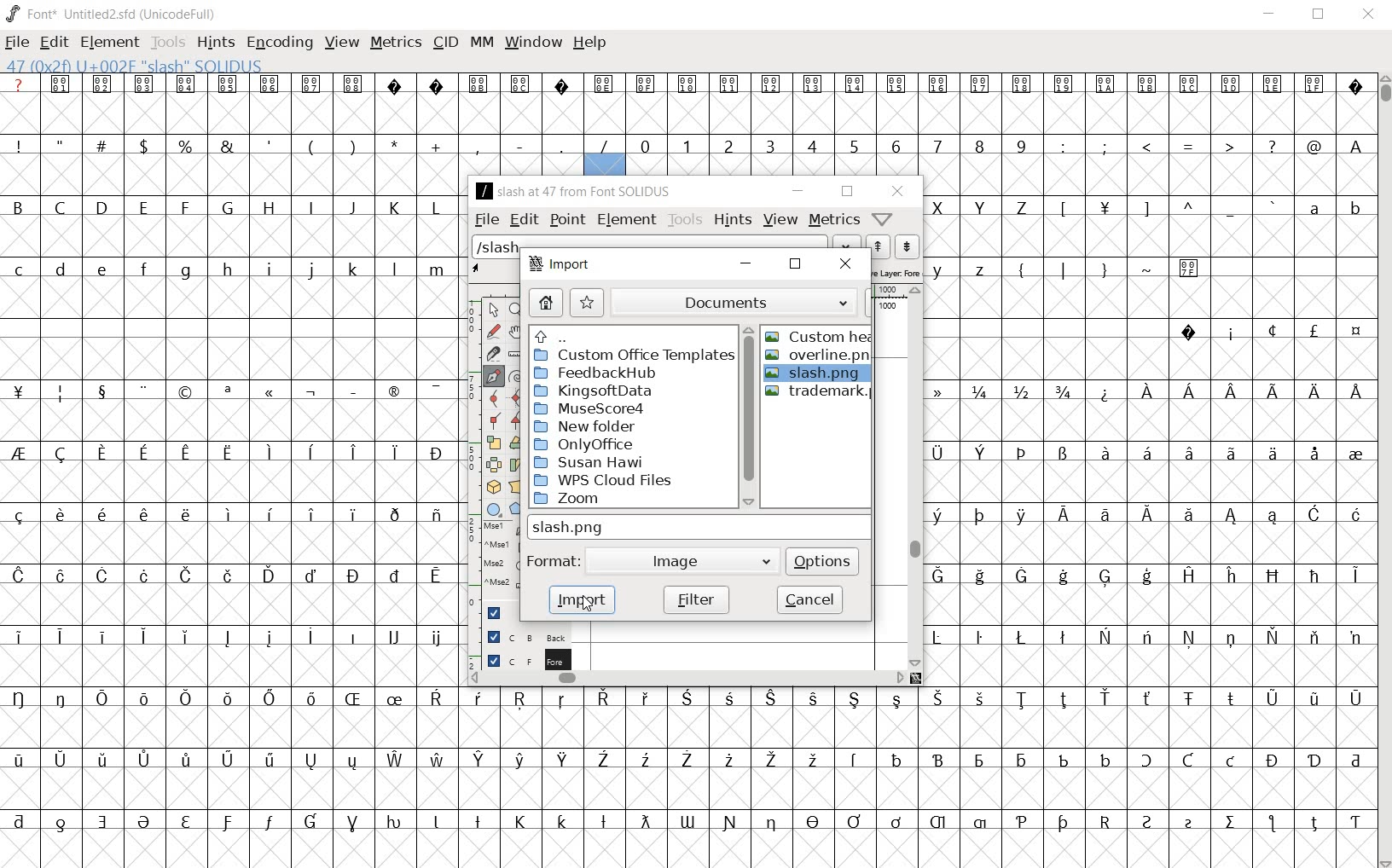 The image size is (1392, 868). What do you see at coordinates (1331, 205) in the screenshot?
I see `a b` at bounding box center [1331, 205].